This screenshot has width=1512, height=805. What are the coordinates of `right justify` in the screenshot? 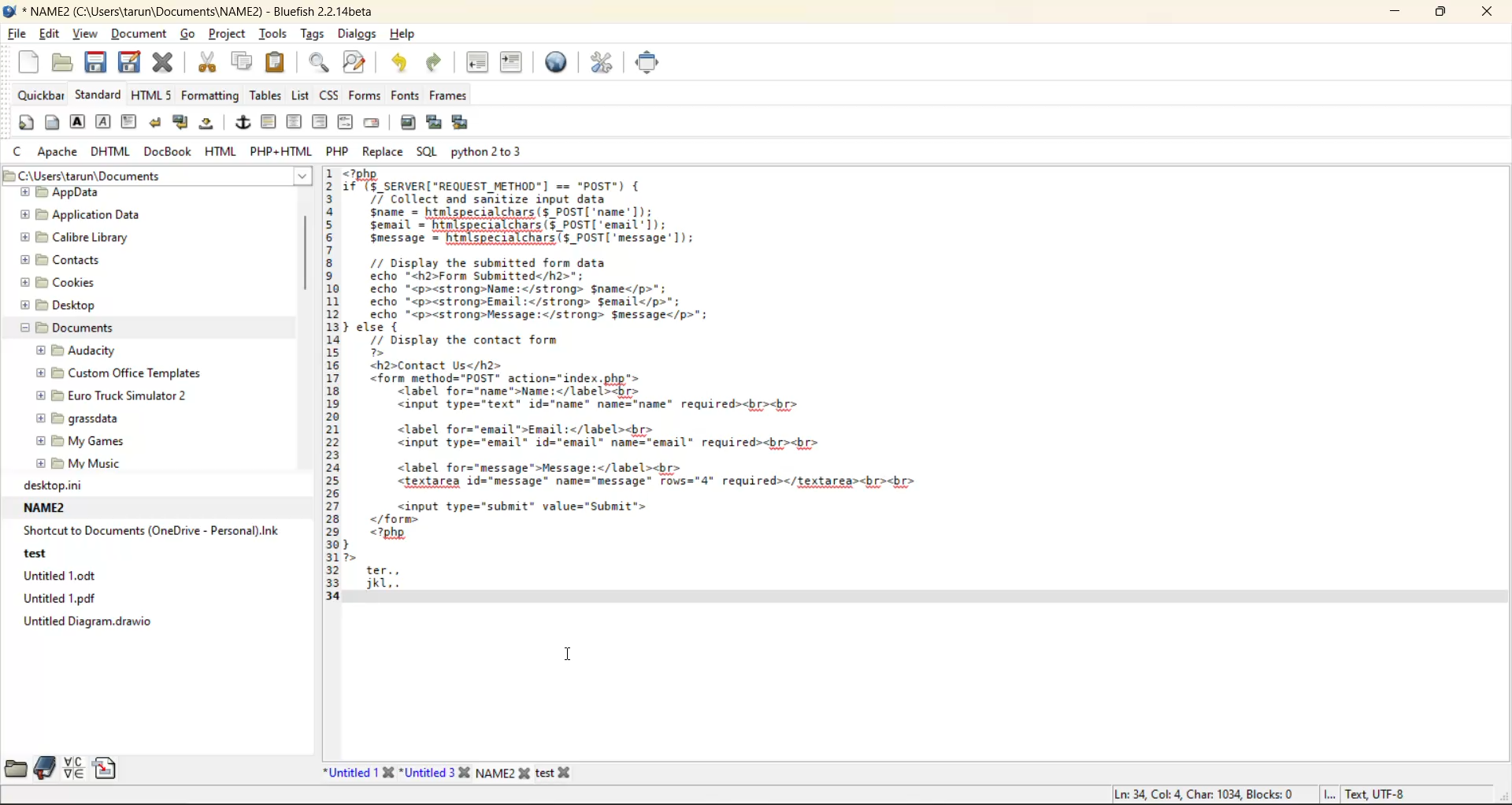 It's located at (320, 121).